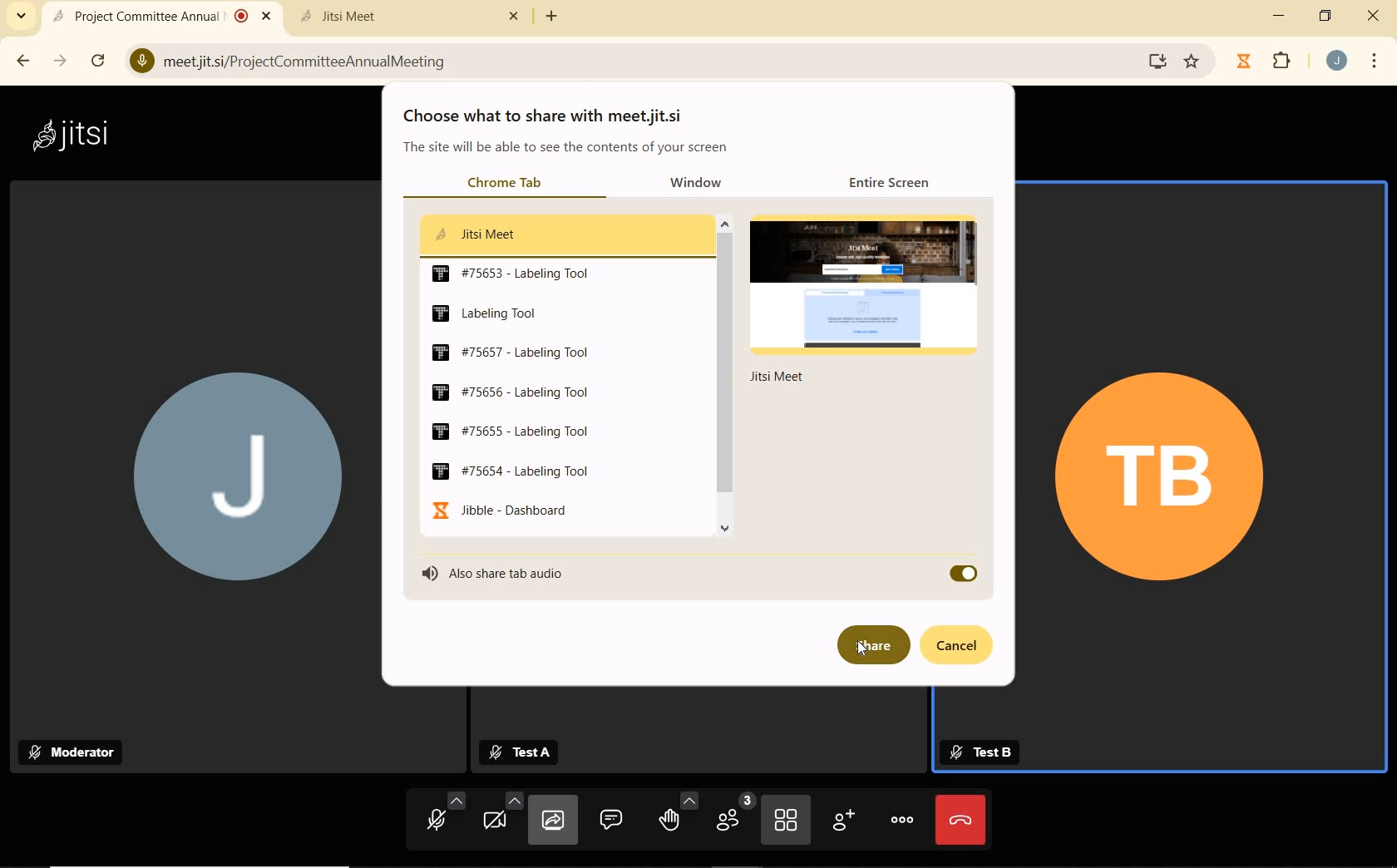 Image resolution: width=1397 pixels, height=868 pixels. Describe the element at coordinates (869, 294) in the screenshot. I see `Jitsi Meet screen preview` at that location.